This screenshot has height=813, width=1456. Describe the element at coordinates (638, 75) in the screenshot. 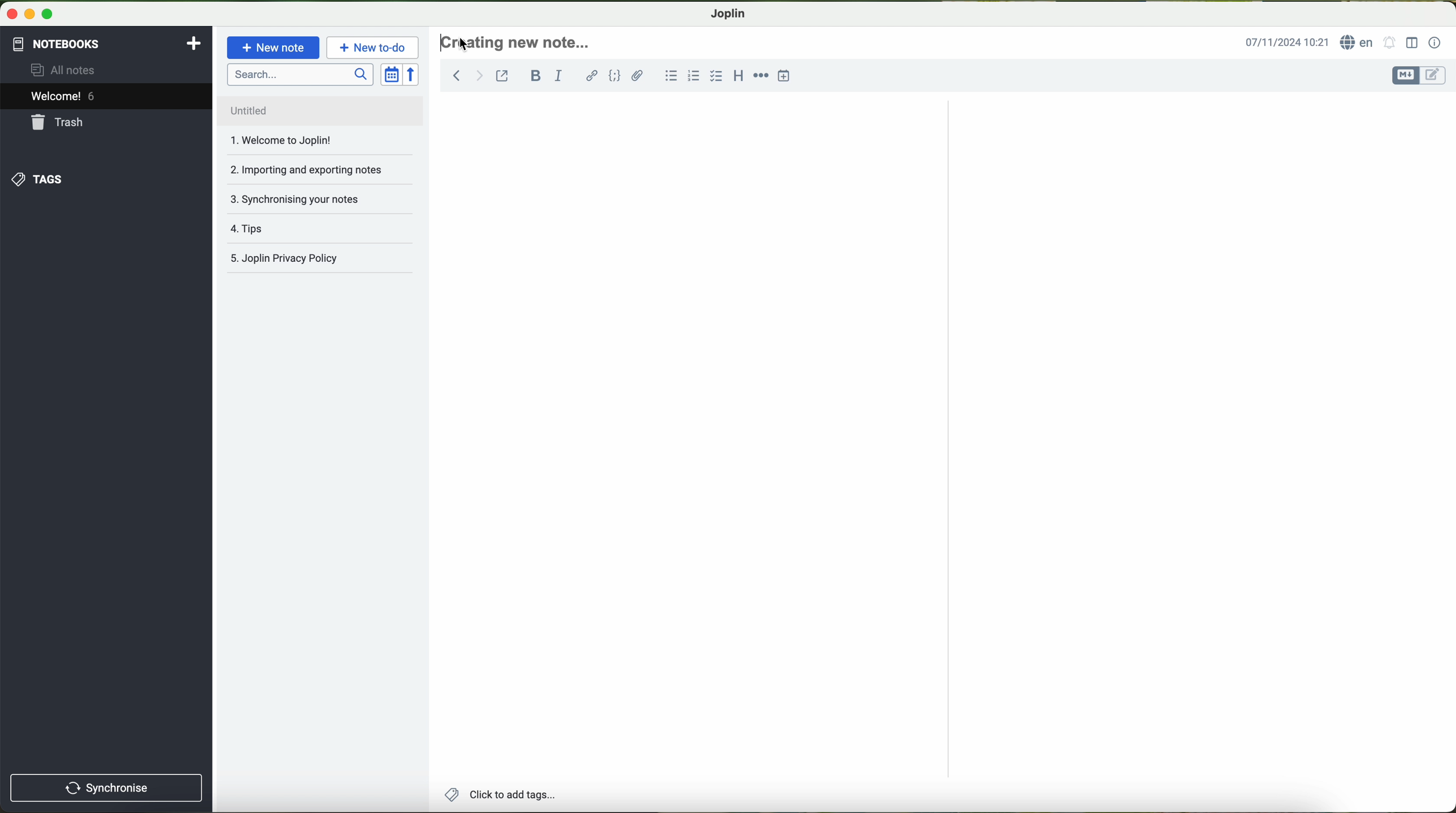

I see `attach file` at that location.